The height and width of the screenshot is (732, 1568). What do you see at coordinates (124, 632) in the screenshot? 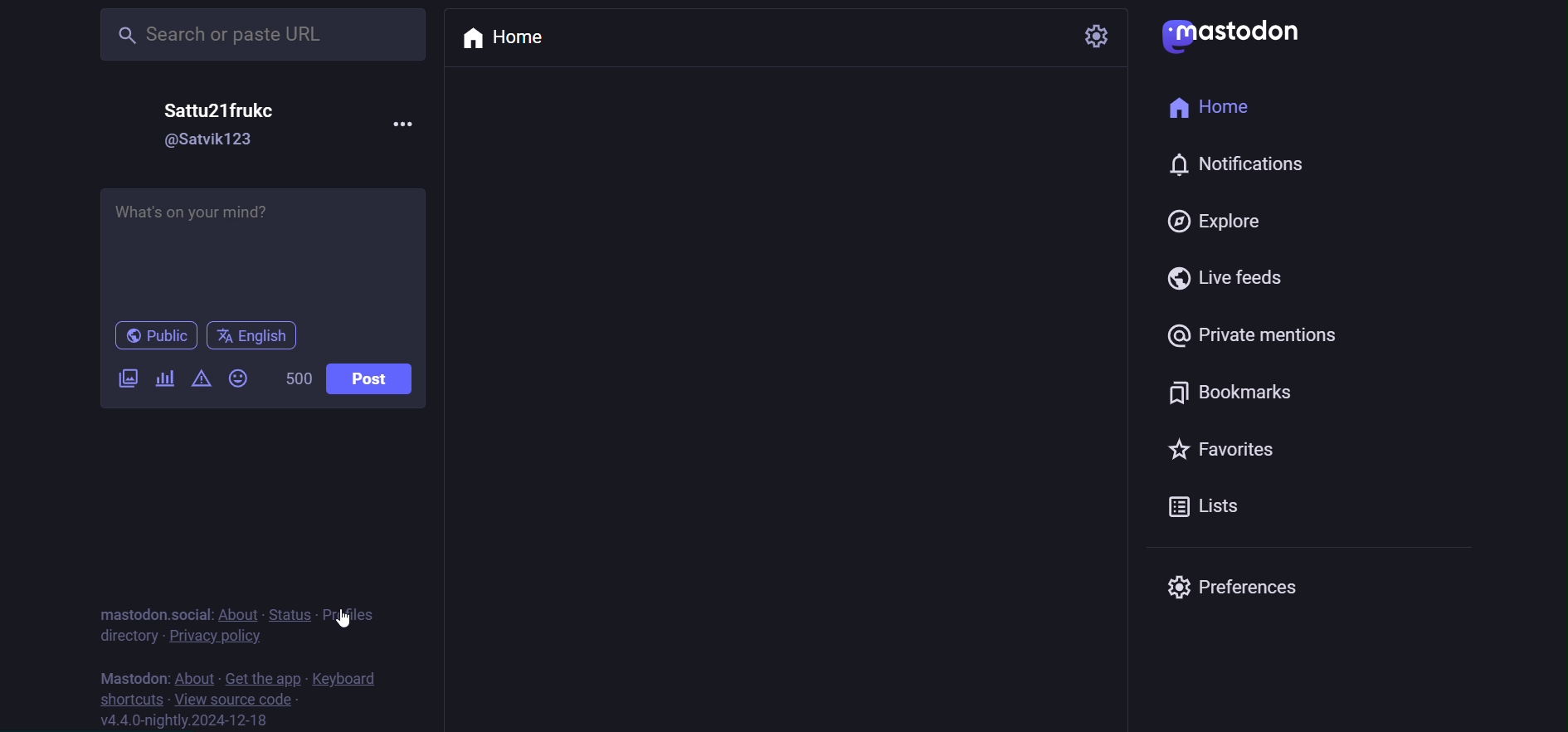
I see `directory` at bounding box center [124, 632].